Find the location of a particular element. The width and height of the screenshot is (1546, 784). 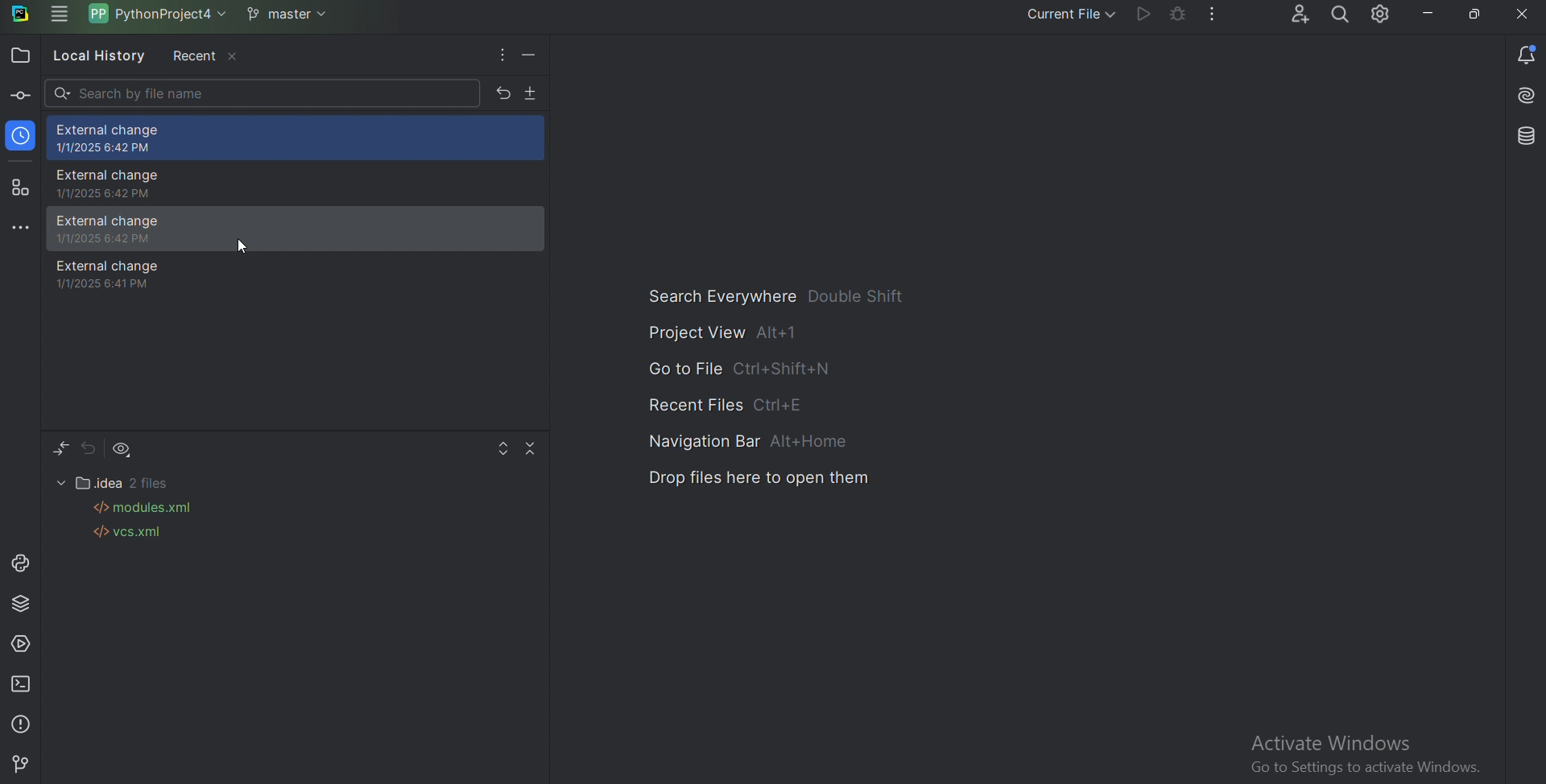

Group By is located at coordinates (125, 449).